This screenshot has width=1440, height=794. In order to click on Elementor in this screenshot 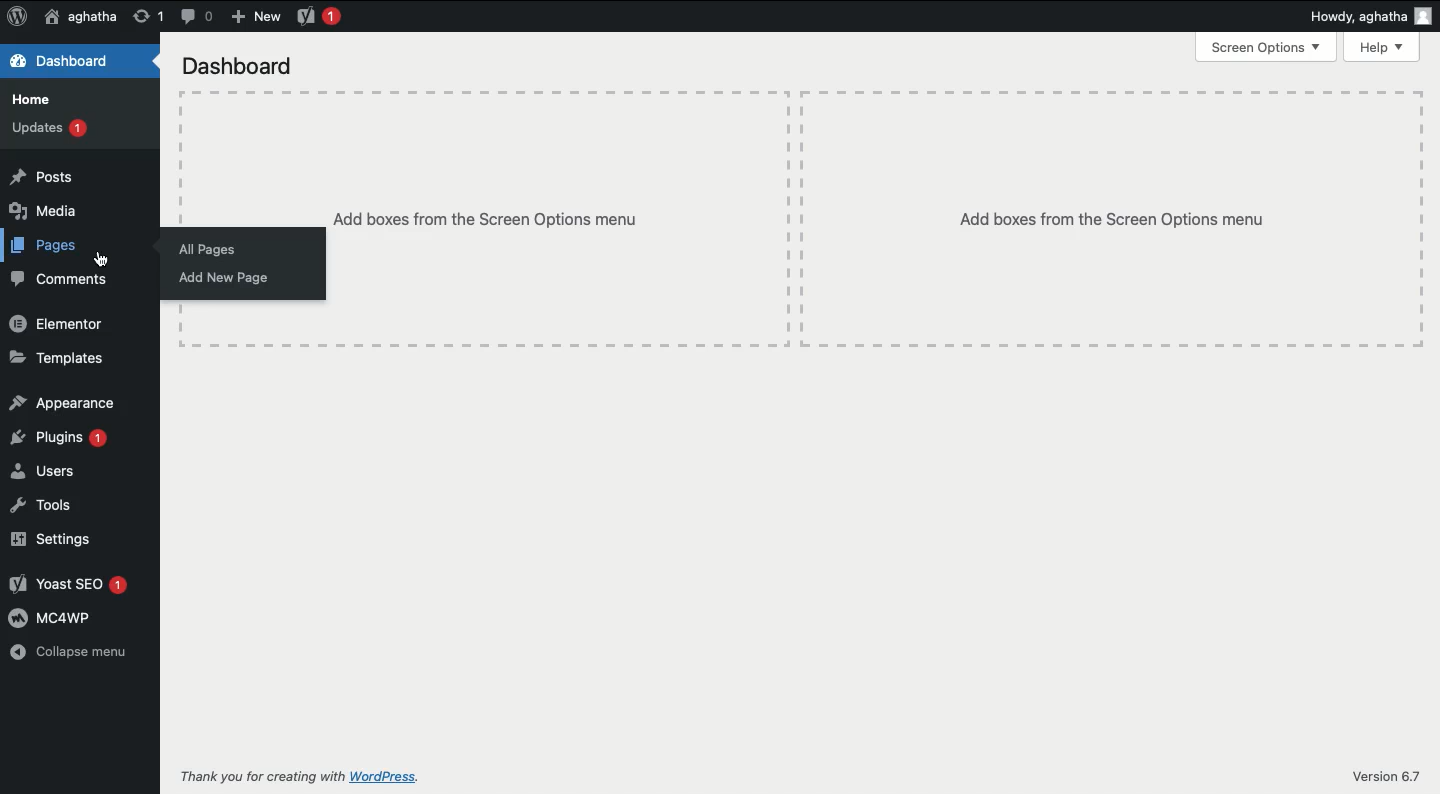, I will do `click(58, 326)`.